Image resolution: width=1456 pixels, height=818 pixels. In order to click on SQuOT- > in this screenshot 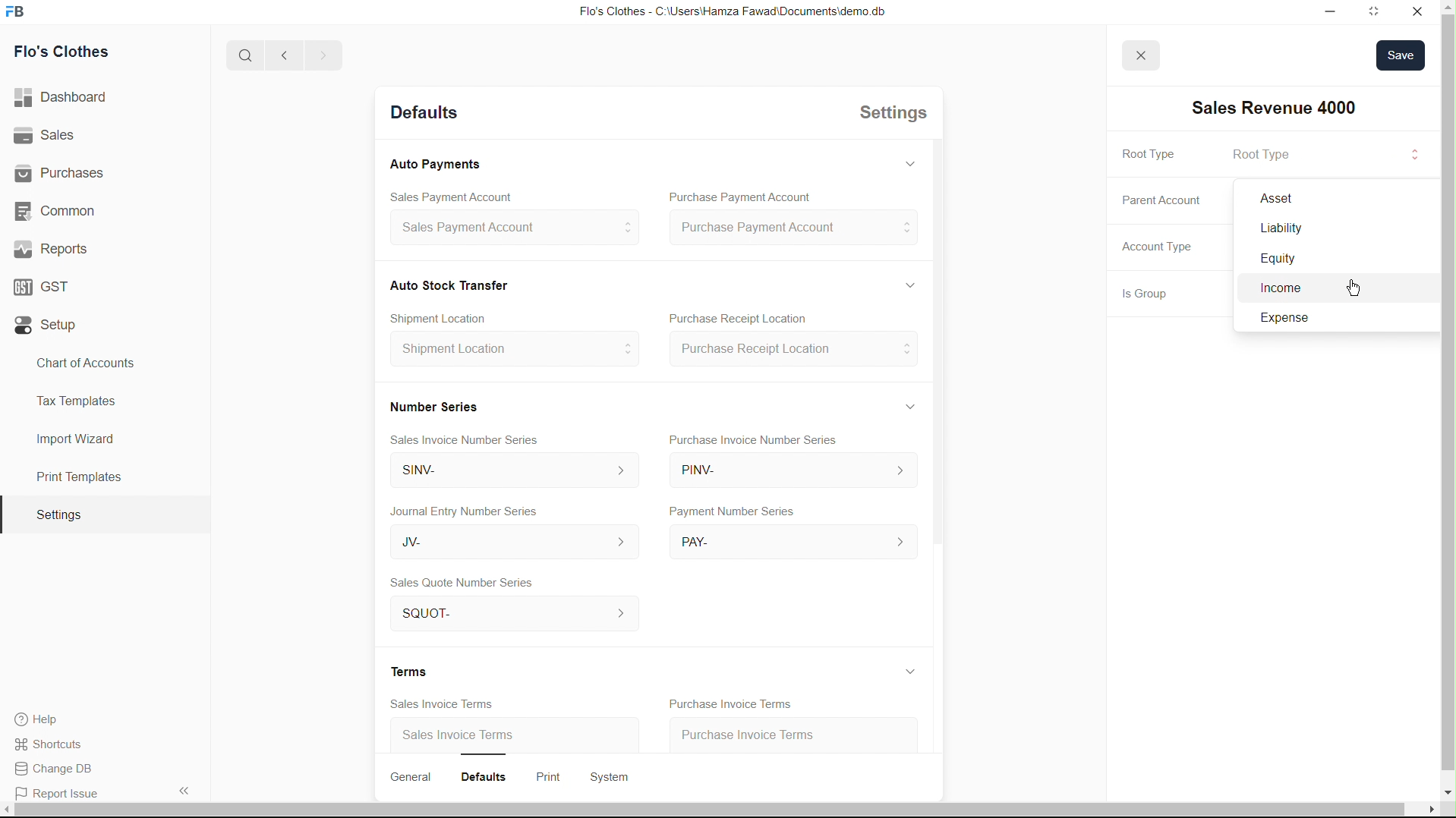, I will do `click(517, 615)`.